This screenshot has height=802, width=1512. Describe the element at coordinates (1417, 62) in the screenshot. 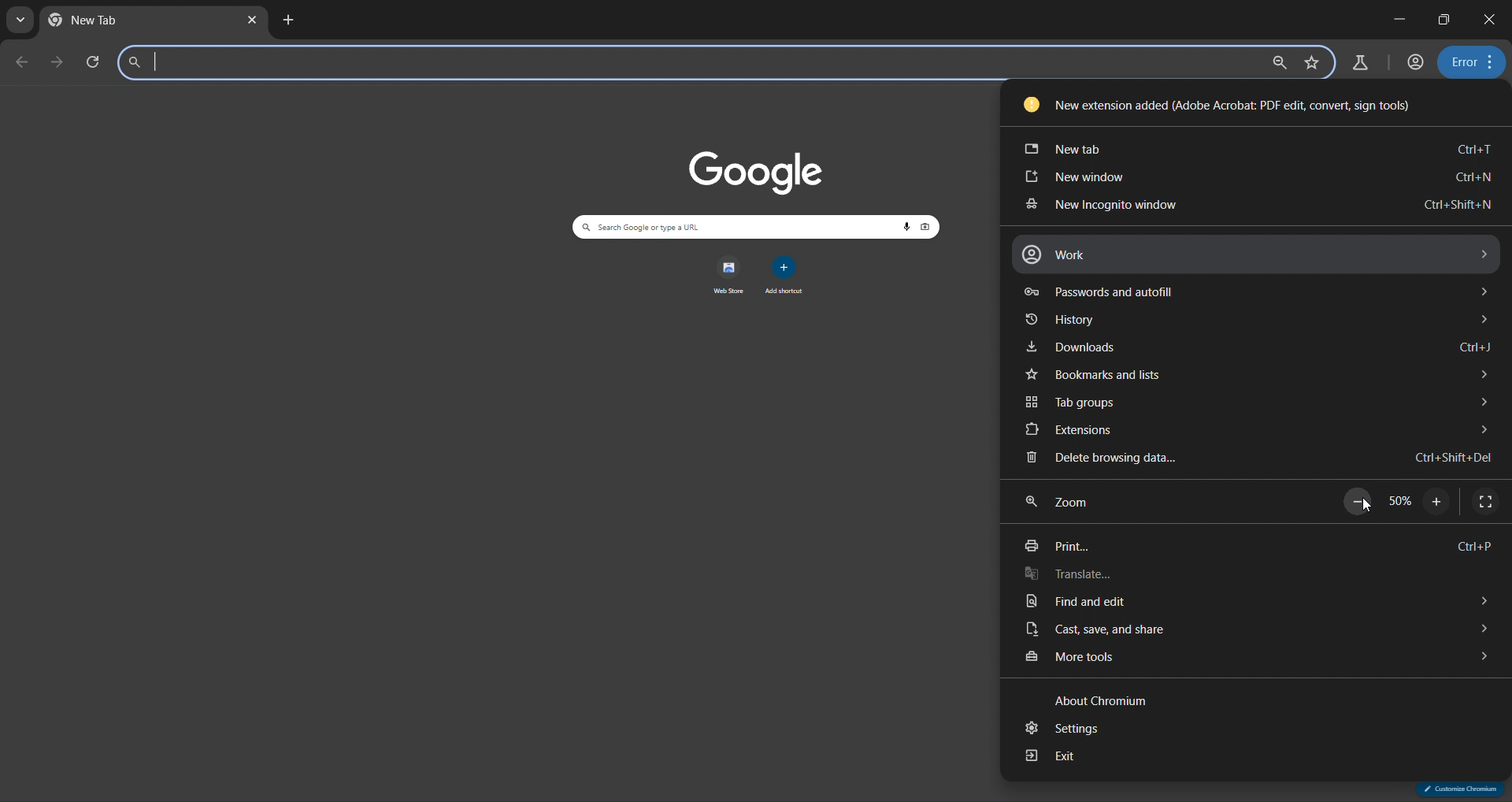

I see `account` at that location.